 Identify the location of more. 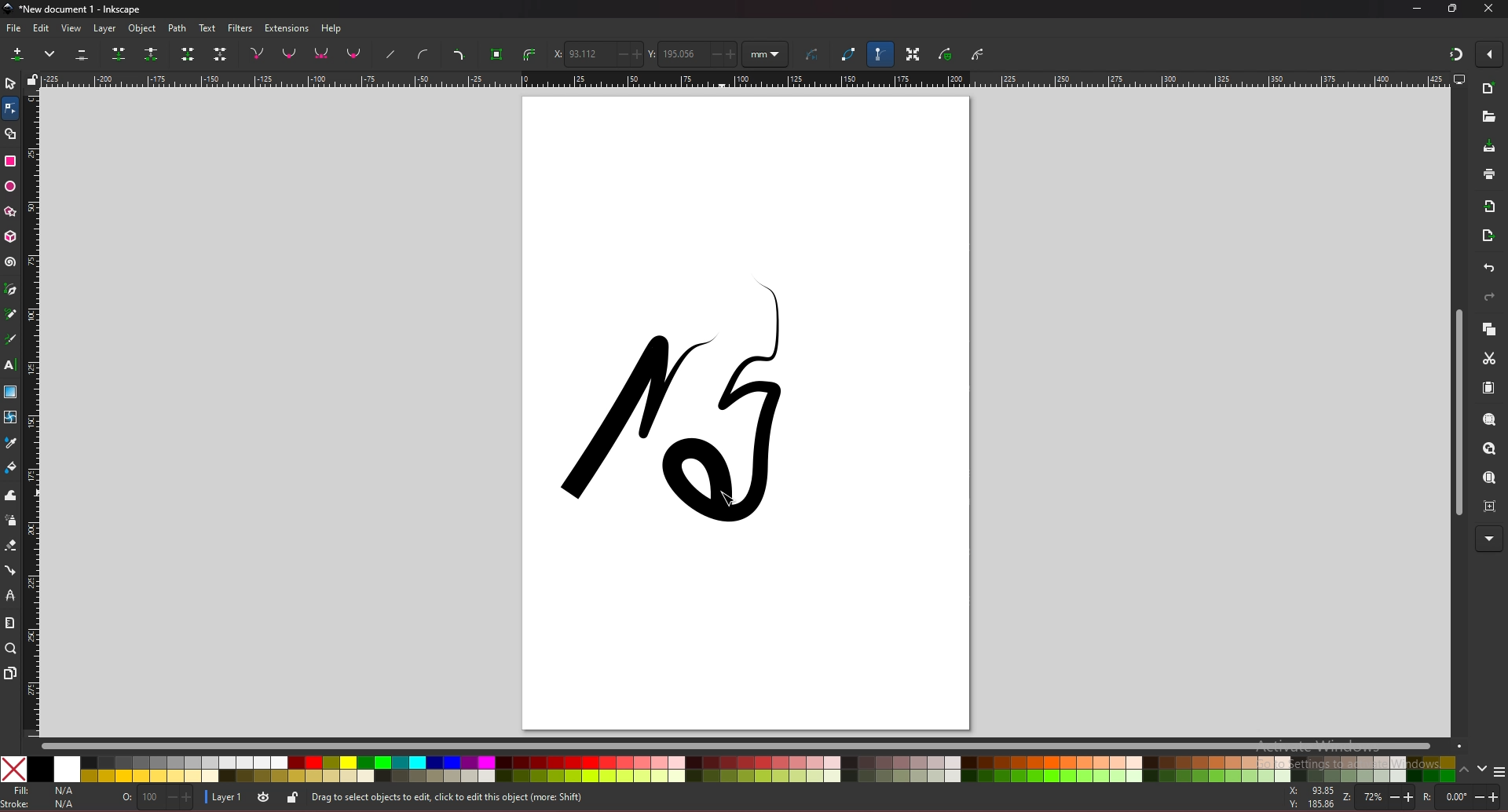
(1488, 539).